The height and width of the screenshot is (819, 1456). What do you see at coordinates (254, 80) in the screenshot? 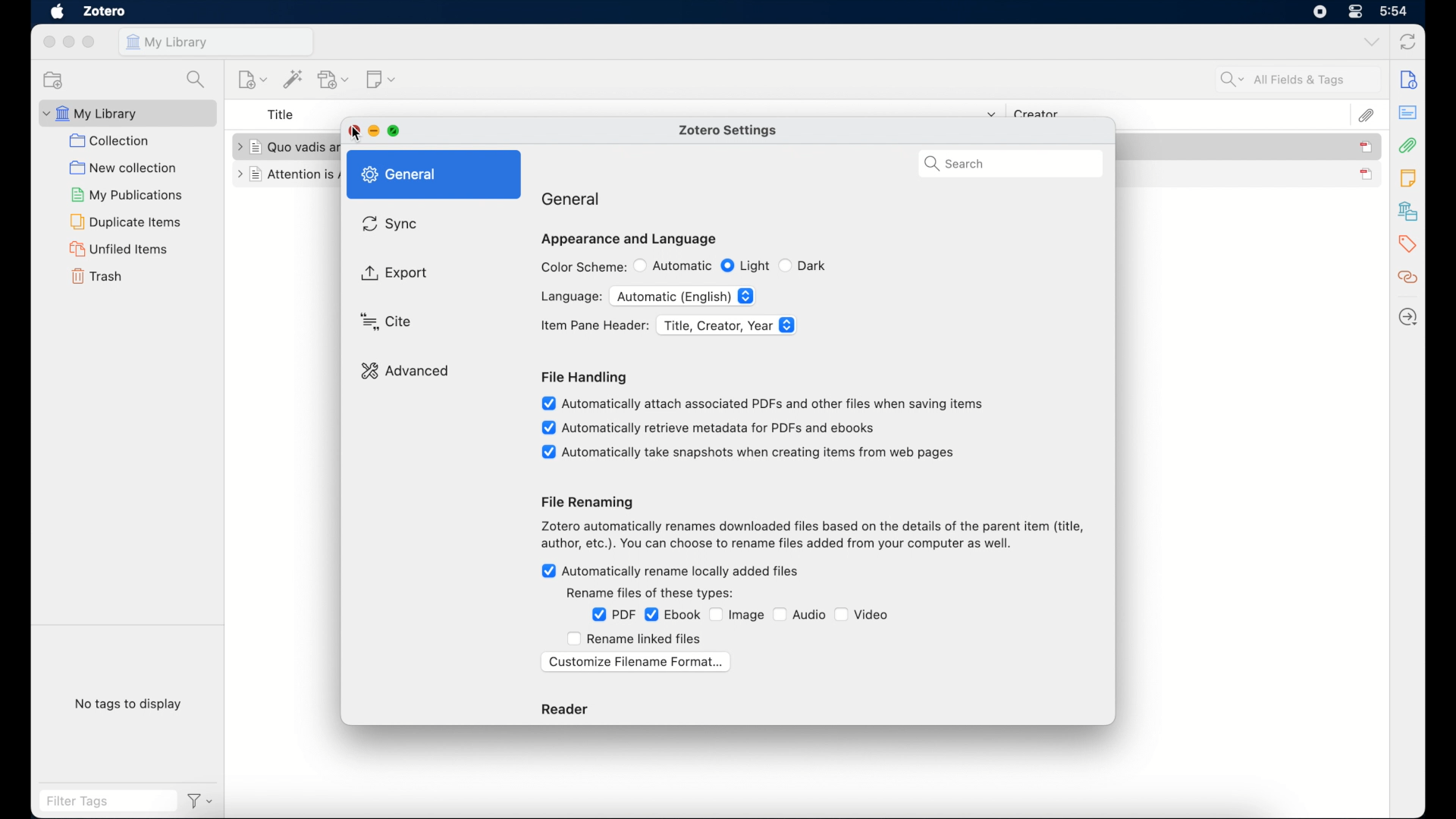
I see `new item` at bounding box center [254, 80].